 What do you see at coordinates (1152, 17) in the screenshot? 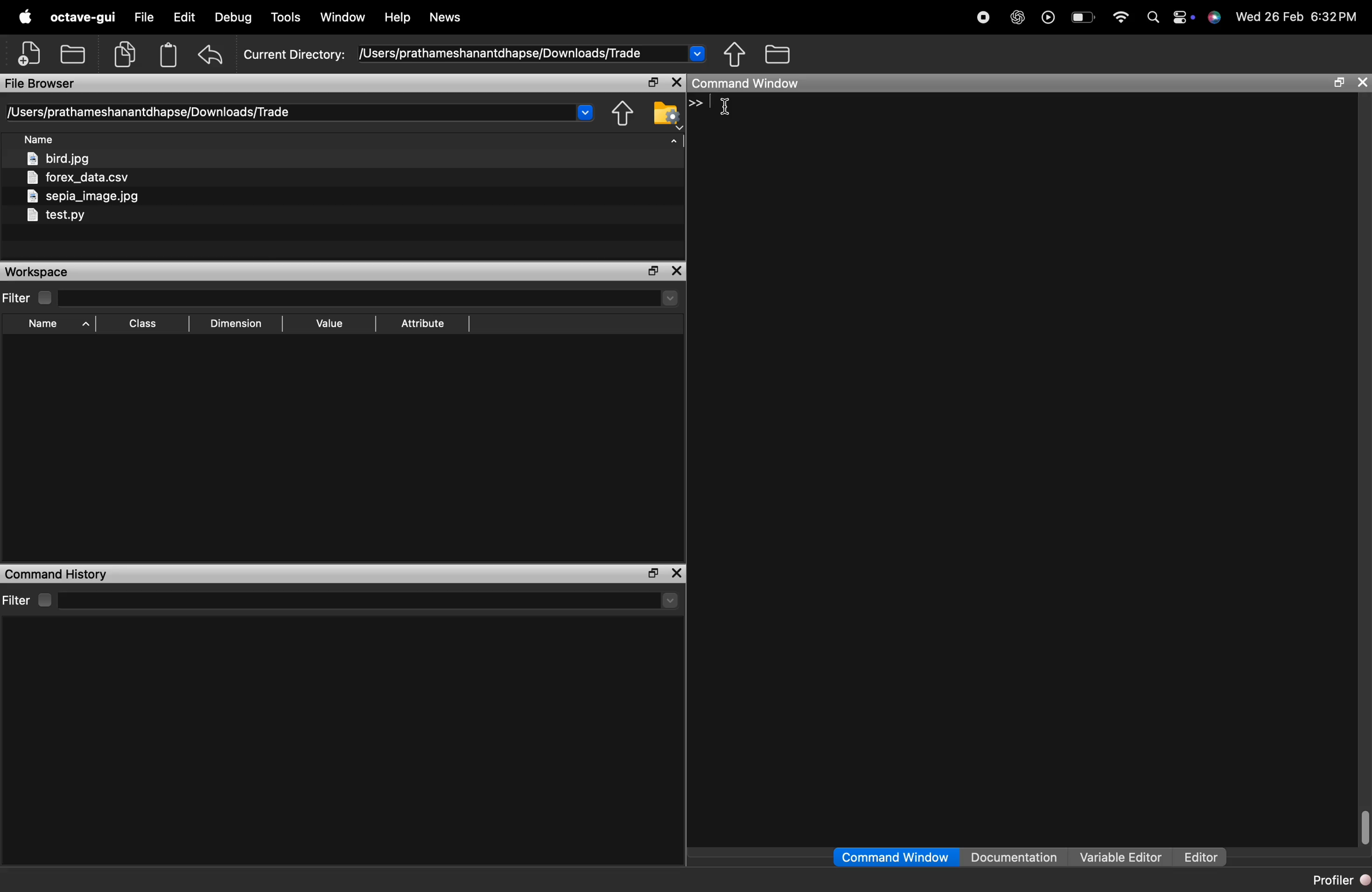
I see `search` at bounding box center [1152, 17].